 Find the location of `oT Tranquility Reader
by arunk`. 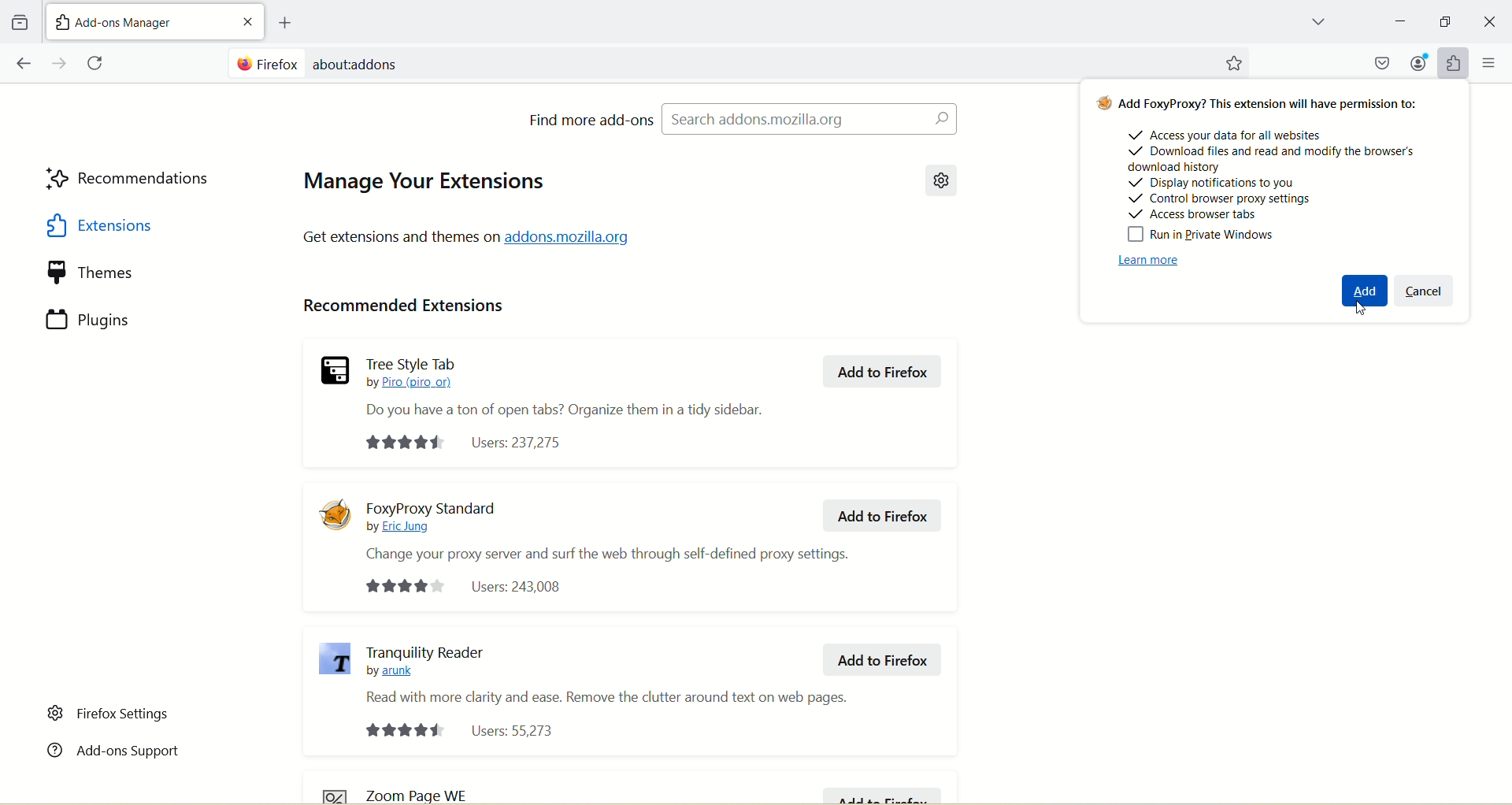

oT Tranquility Reader
by arunk is located at coordinates (425, 662).